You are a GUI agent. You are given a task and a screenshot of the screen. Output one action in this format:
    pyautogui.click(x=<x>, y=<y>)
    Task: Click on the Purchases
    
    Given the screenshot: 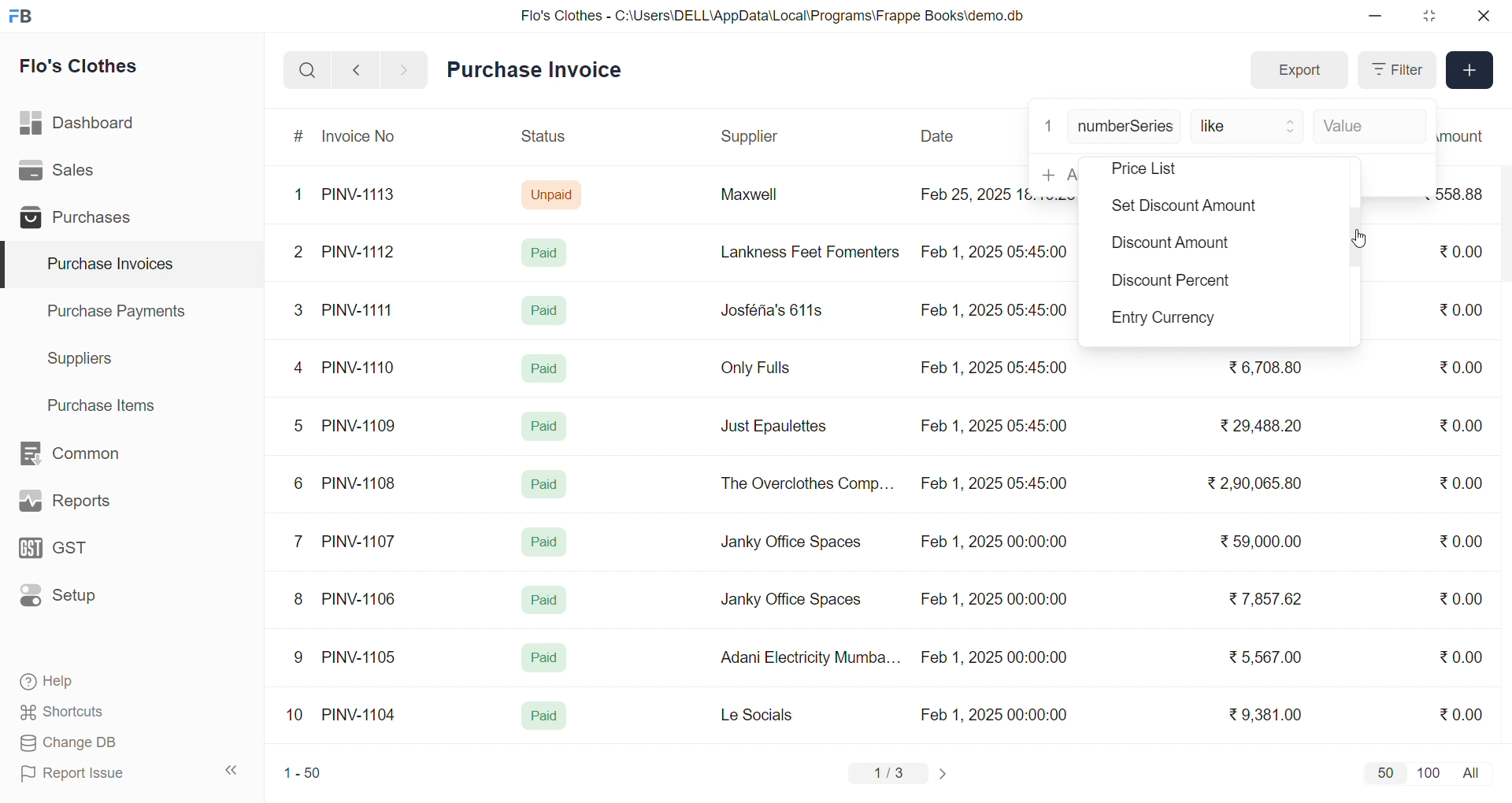 What is the action you would take?
    pyautogui.click(x=81, y=220)
    